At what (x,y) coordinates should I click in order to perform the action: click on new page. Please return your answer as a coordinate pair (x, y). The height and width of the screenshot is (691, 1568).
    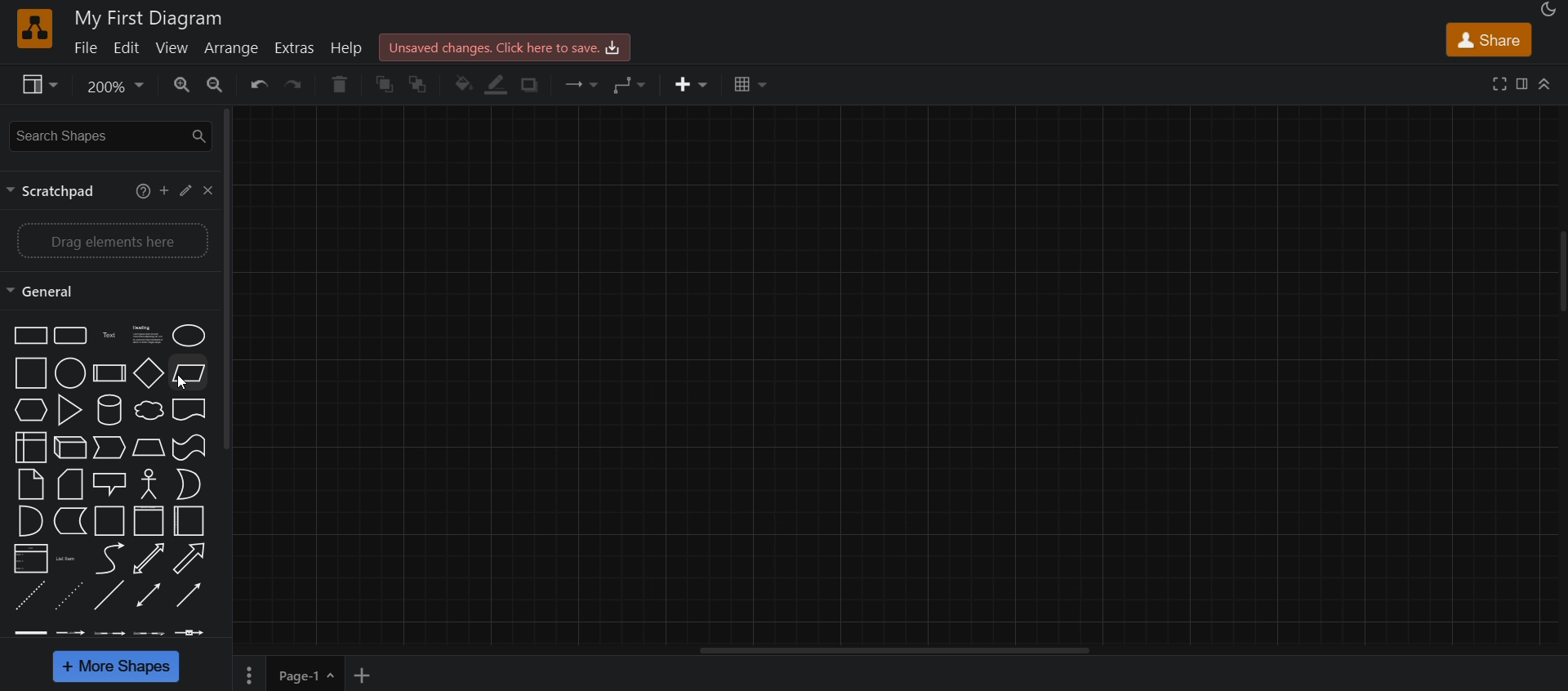
    Looking at the image, I should click on (357, 675).